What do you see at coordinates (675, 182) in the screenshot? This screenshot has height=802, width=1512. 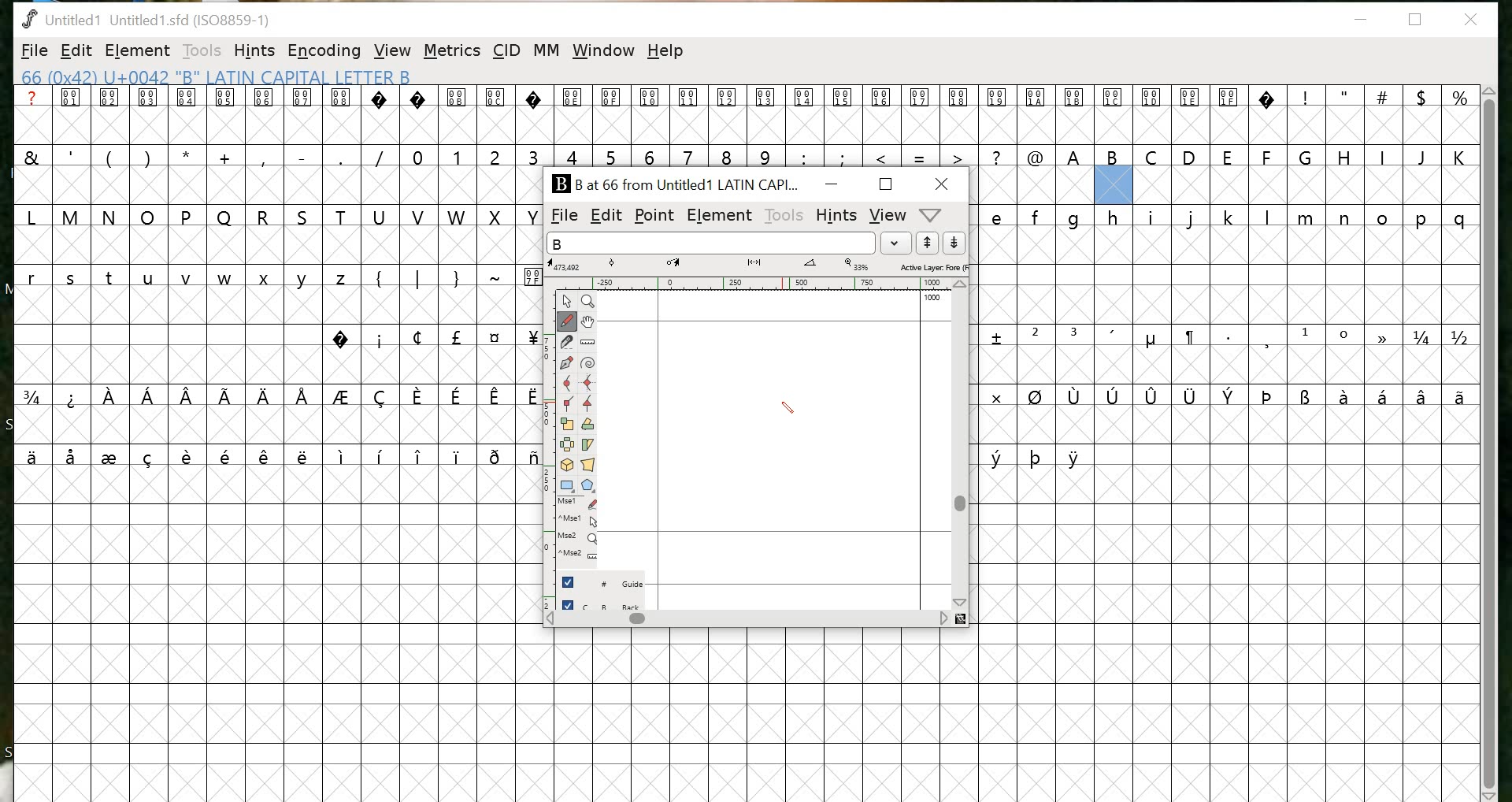 I see `B at 66 from Untitled1 LATIN CAPI...` at bounding box center [675, 182].